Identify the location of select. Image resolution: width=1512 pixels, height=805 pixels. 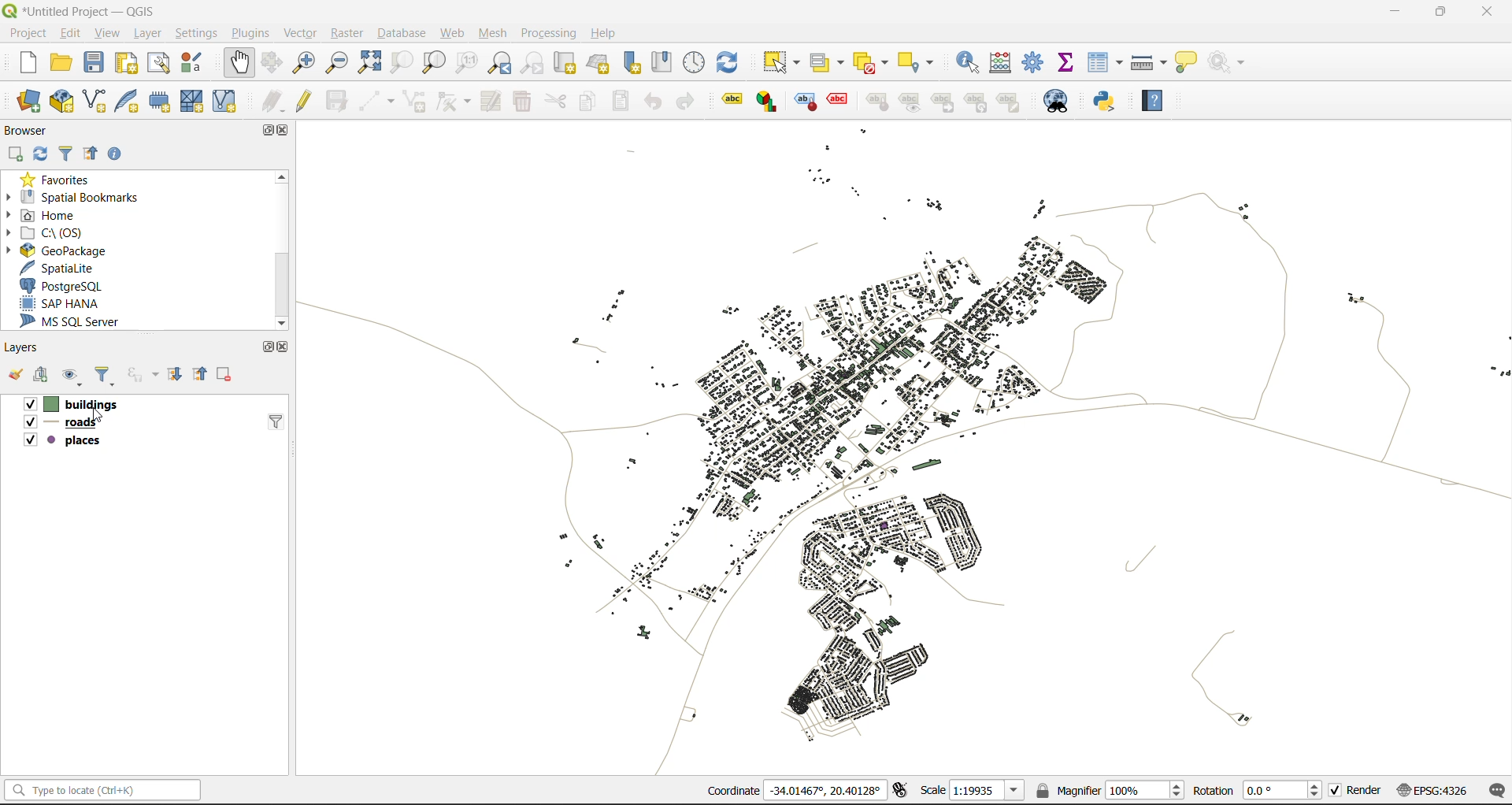
(779, 62).